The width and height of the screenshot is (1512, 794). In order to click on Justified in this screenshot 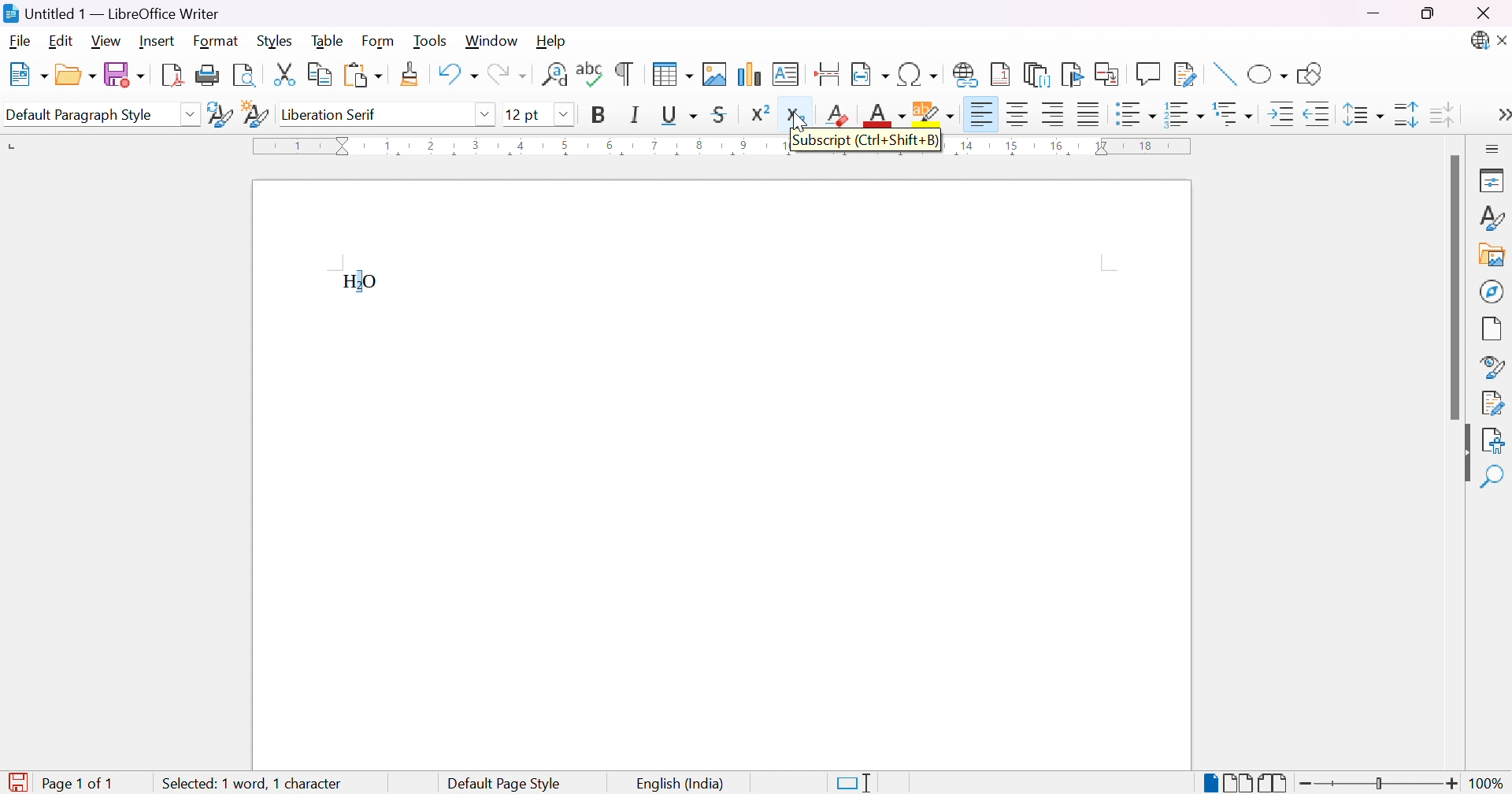, I will do `click(1089, 113)`.